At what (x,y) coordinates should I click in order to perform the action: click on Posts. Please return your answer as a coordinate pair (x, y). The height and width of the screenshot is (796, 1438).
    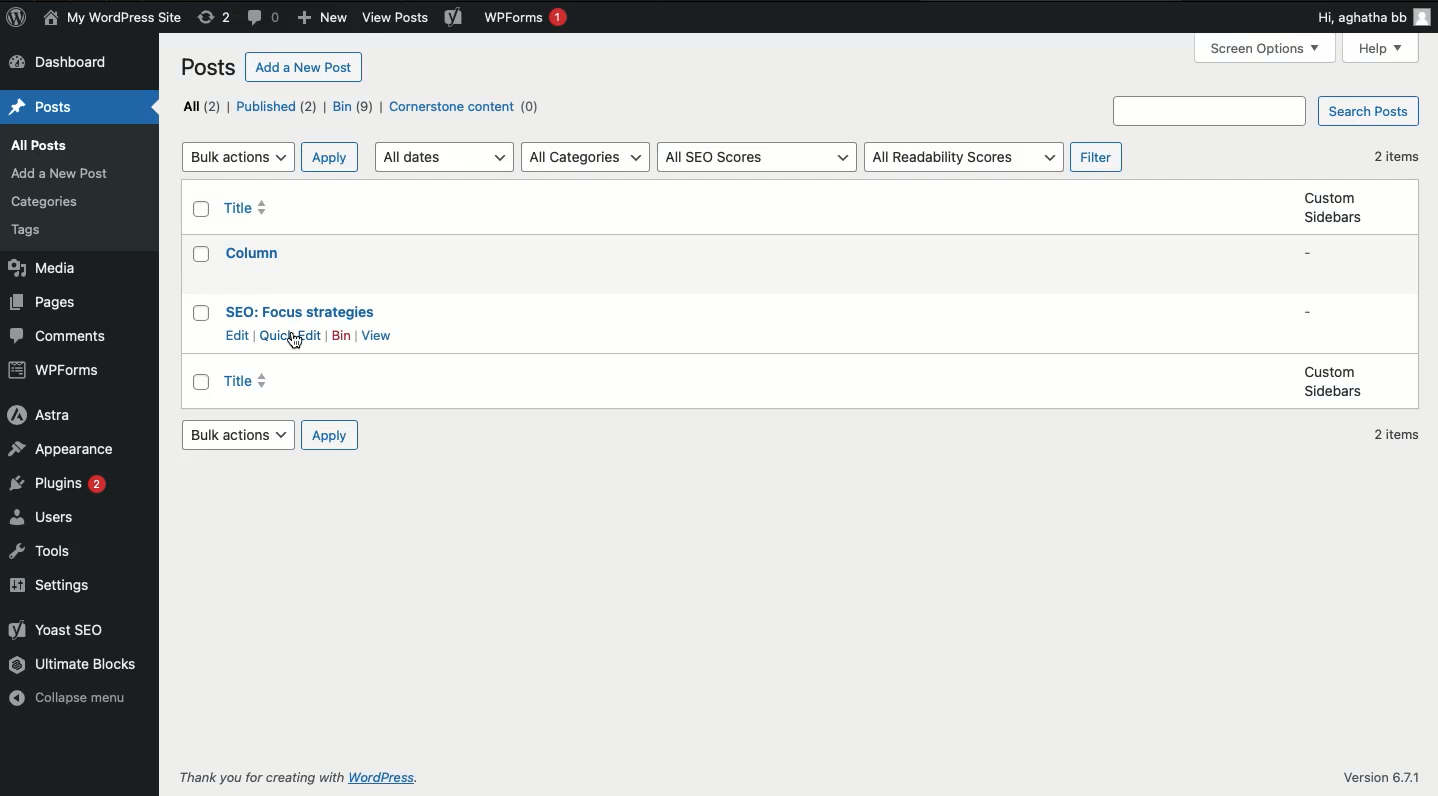
    Looking at the image, I should click on (48, 202).